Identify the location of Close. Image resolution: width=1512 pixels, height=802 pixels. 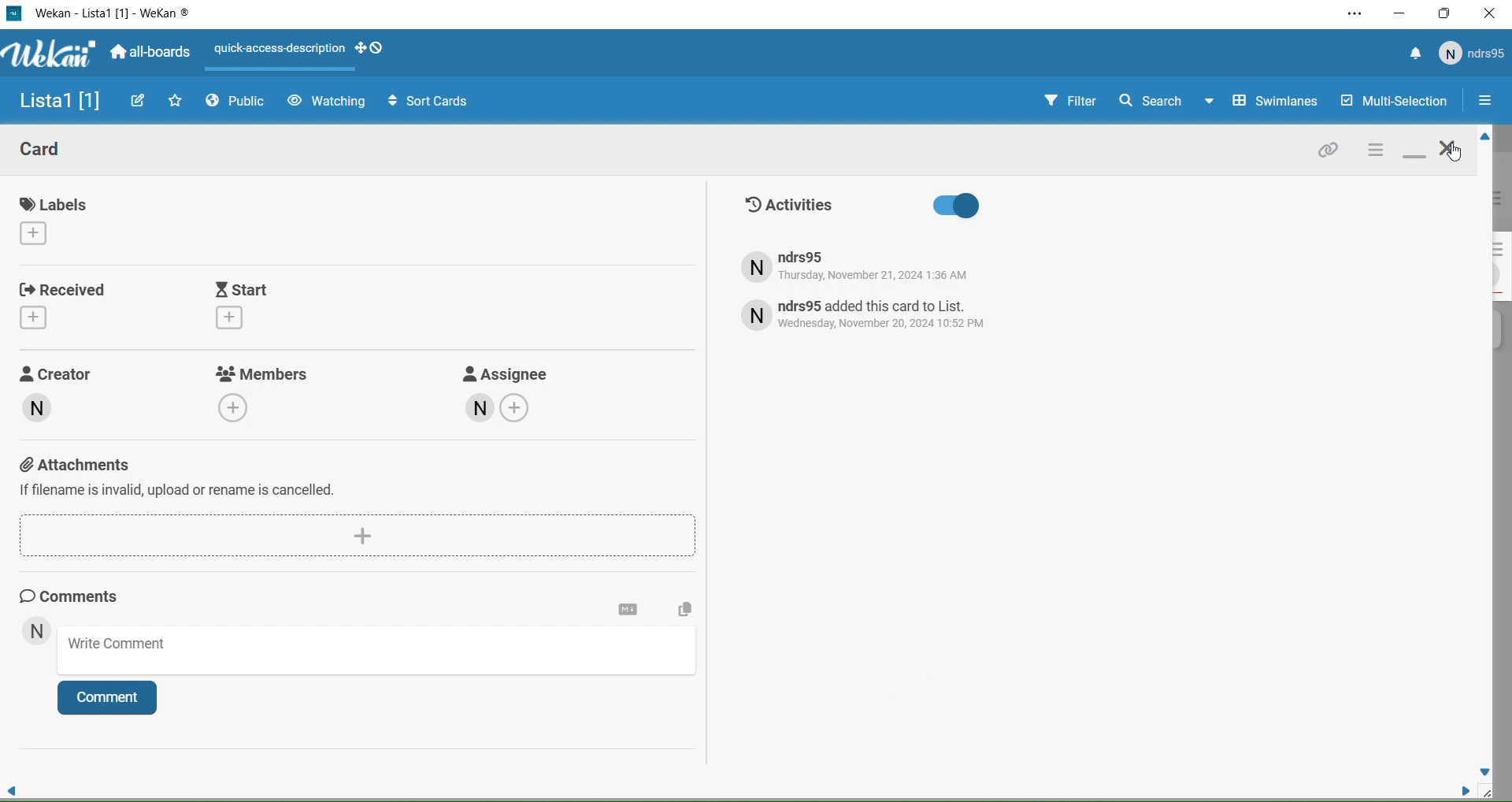
(1449, 150).